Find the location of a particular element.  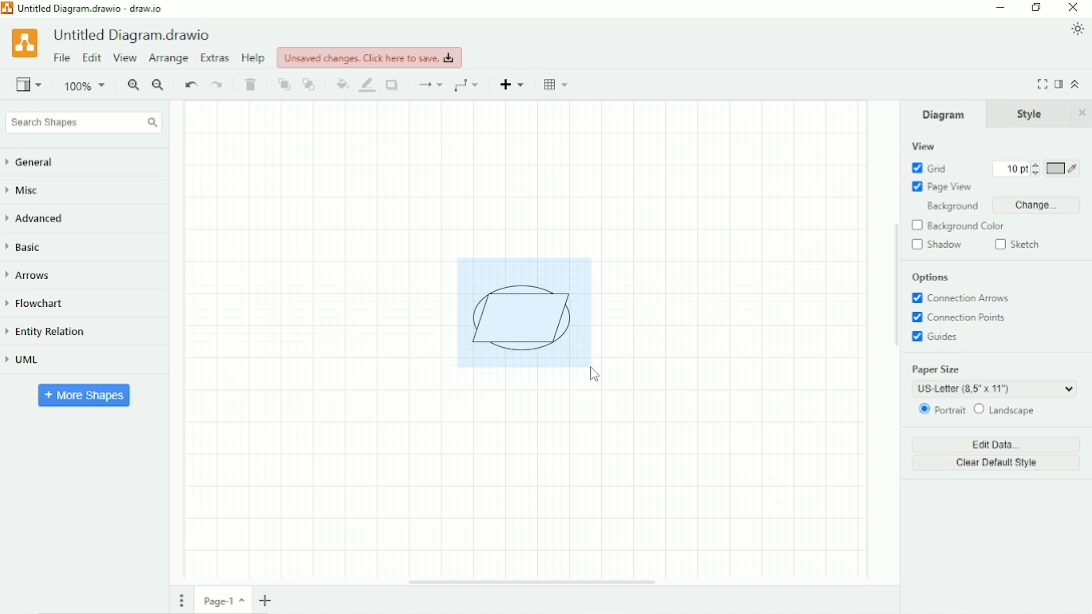

Fill color is located at coordinates (342, 84).